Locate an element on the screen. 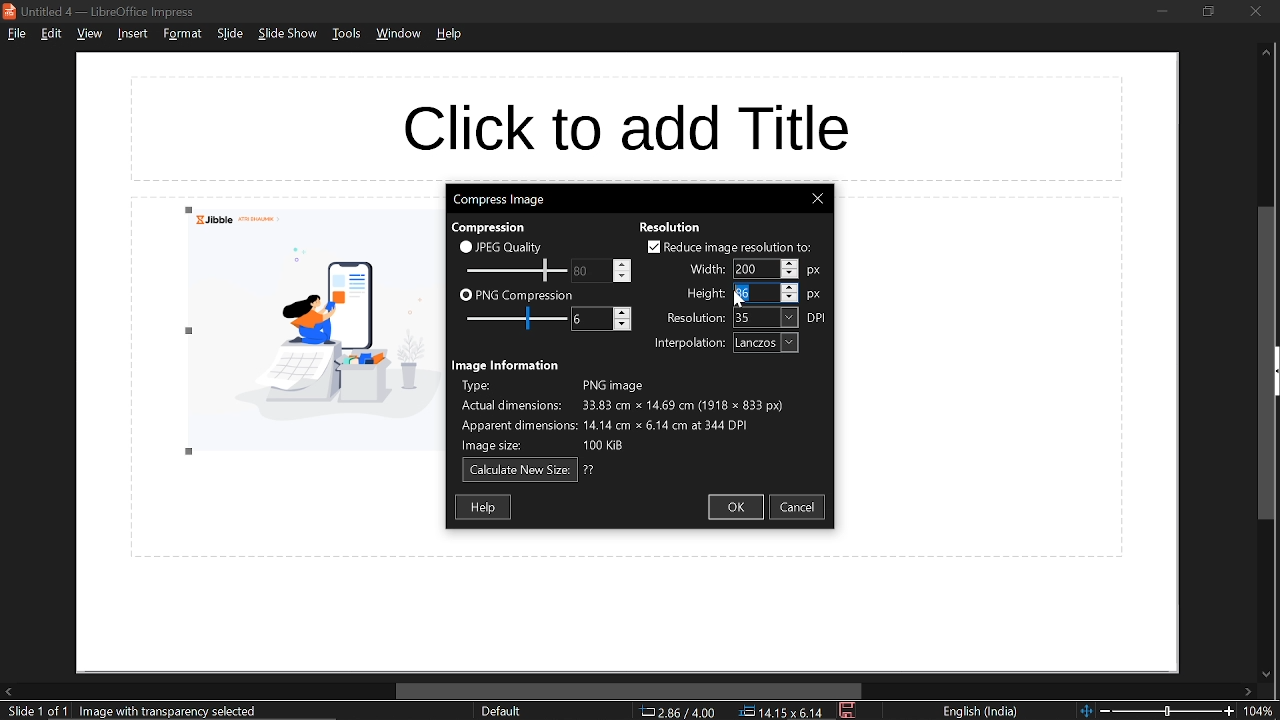 The image size is (1280, 720). format is located at coordinates (182, 33).